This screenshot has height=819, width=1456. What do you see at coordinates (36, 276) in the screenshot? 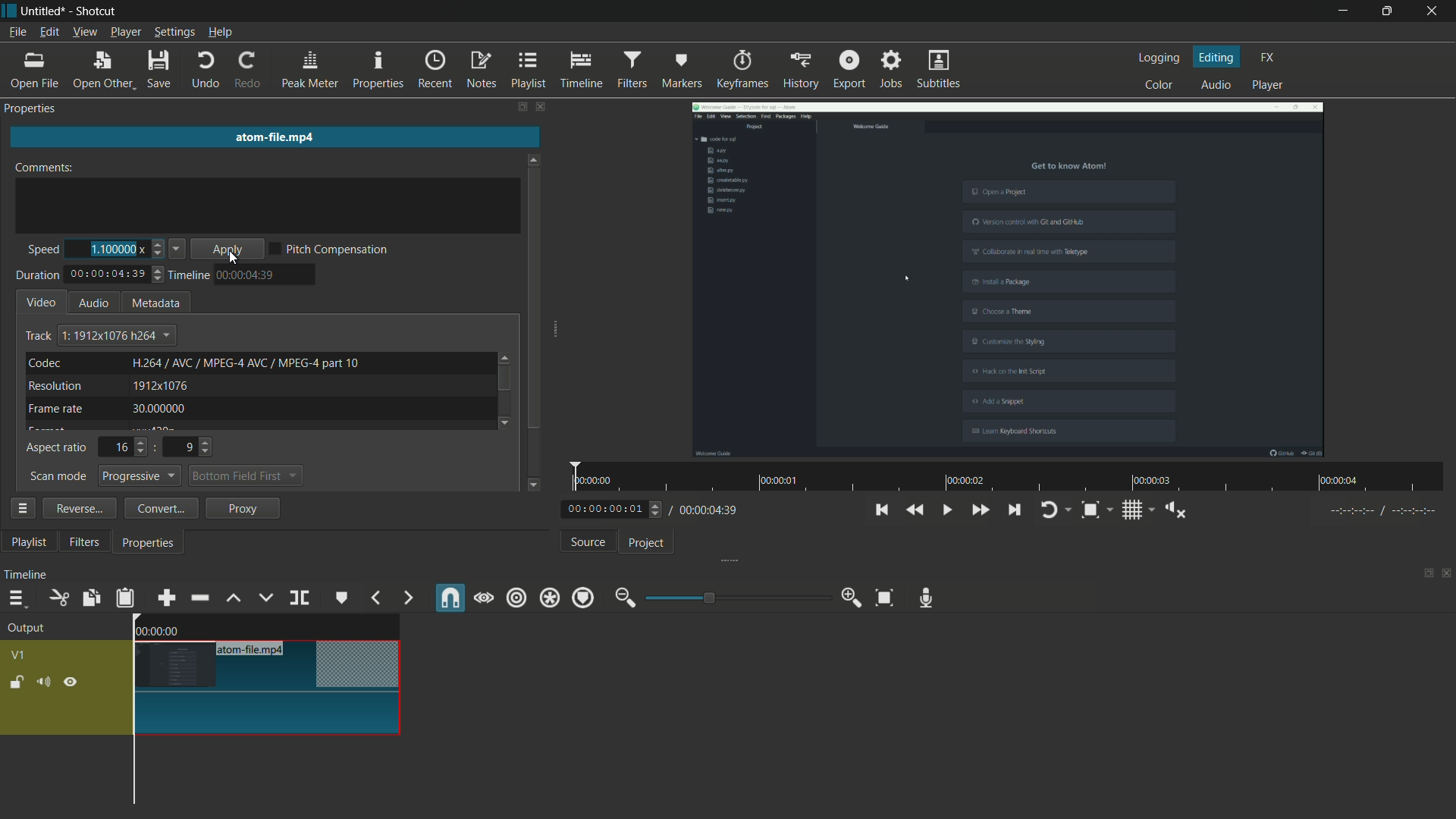
I see `duration` at bounding box center [36, 276].